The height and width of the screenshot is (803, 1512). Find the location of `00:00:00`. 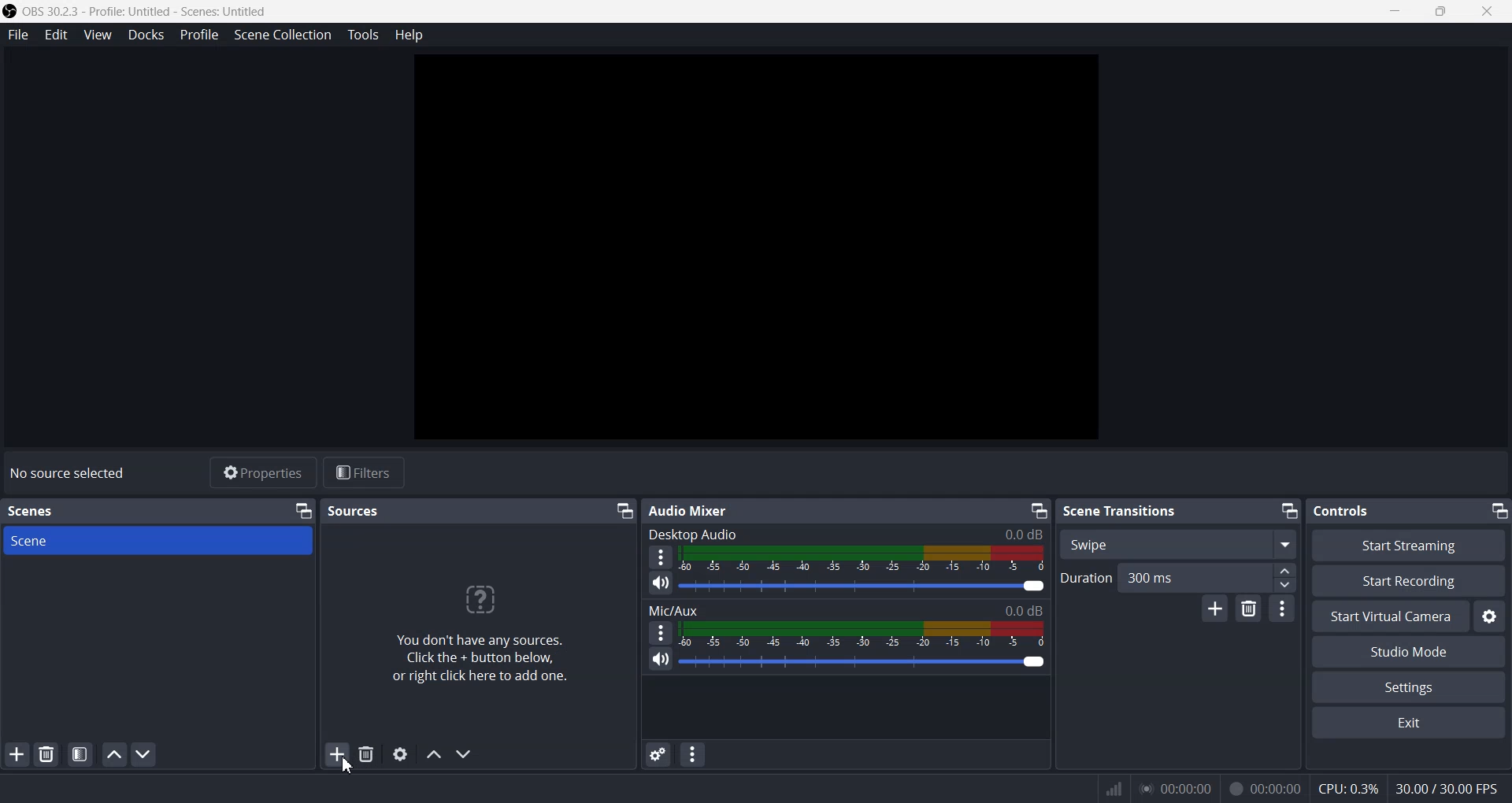

00:00:00 is located at coordinates (1175, 787).